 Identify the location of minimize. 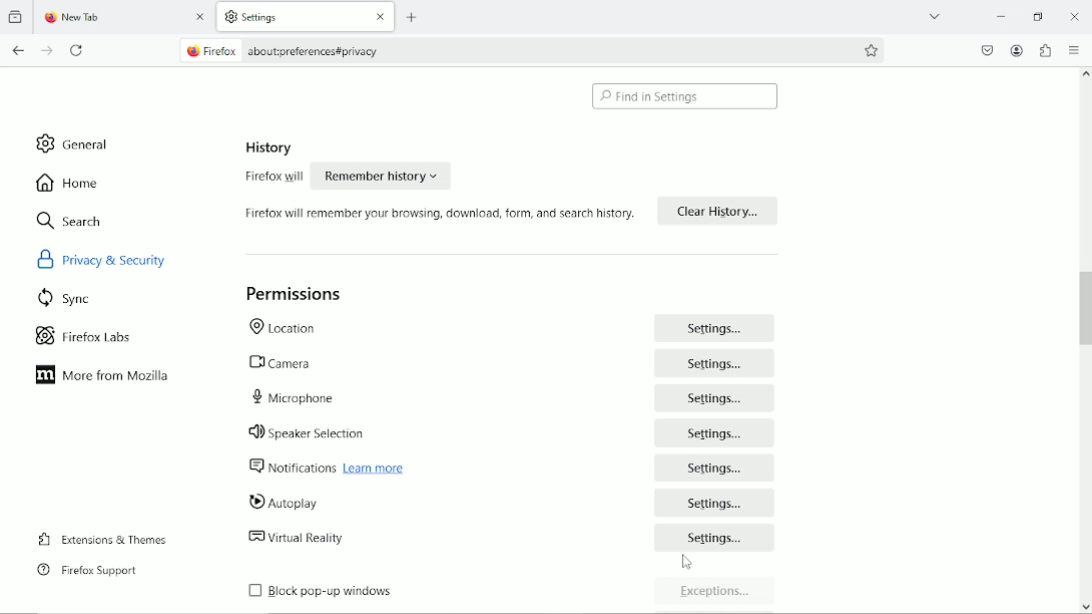
(1001, 15).